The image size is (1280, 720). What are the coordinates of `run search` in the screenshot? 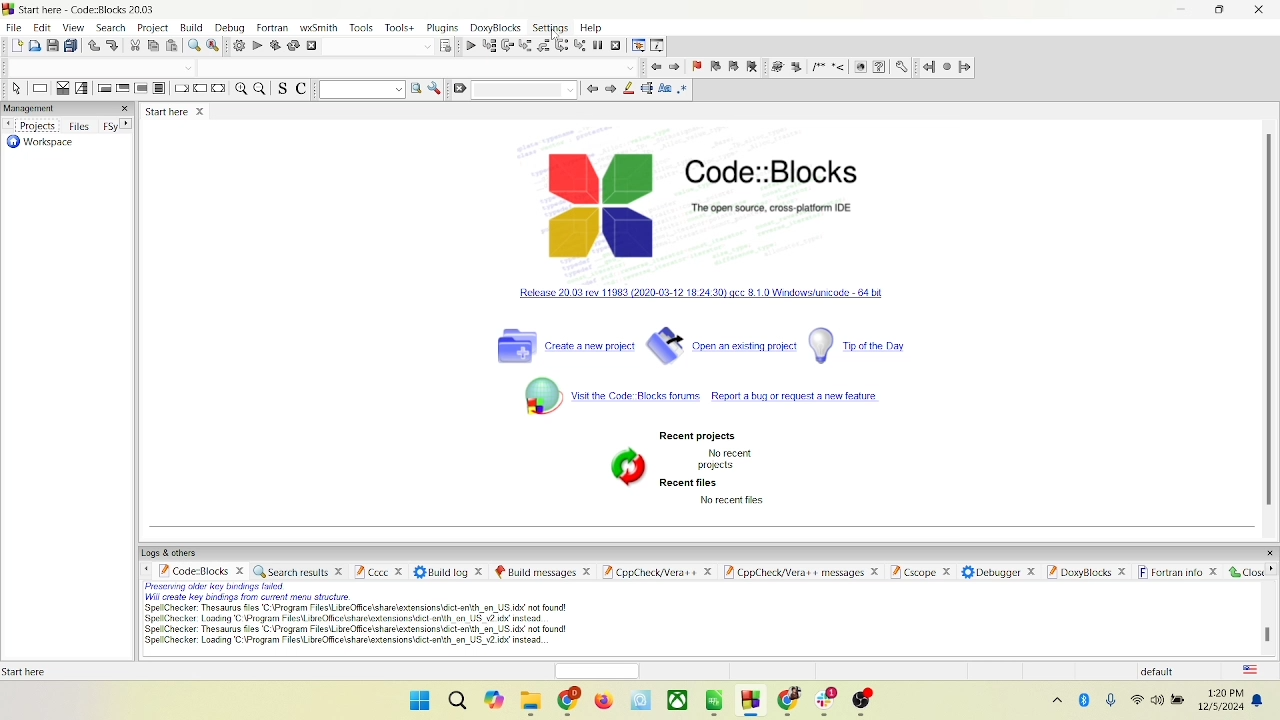 It's located at (412, 89).